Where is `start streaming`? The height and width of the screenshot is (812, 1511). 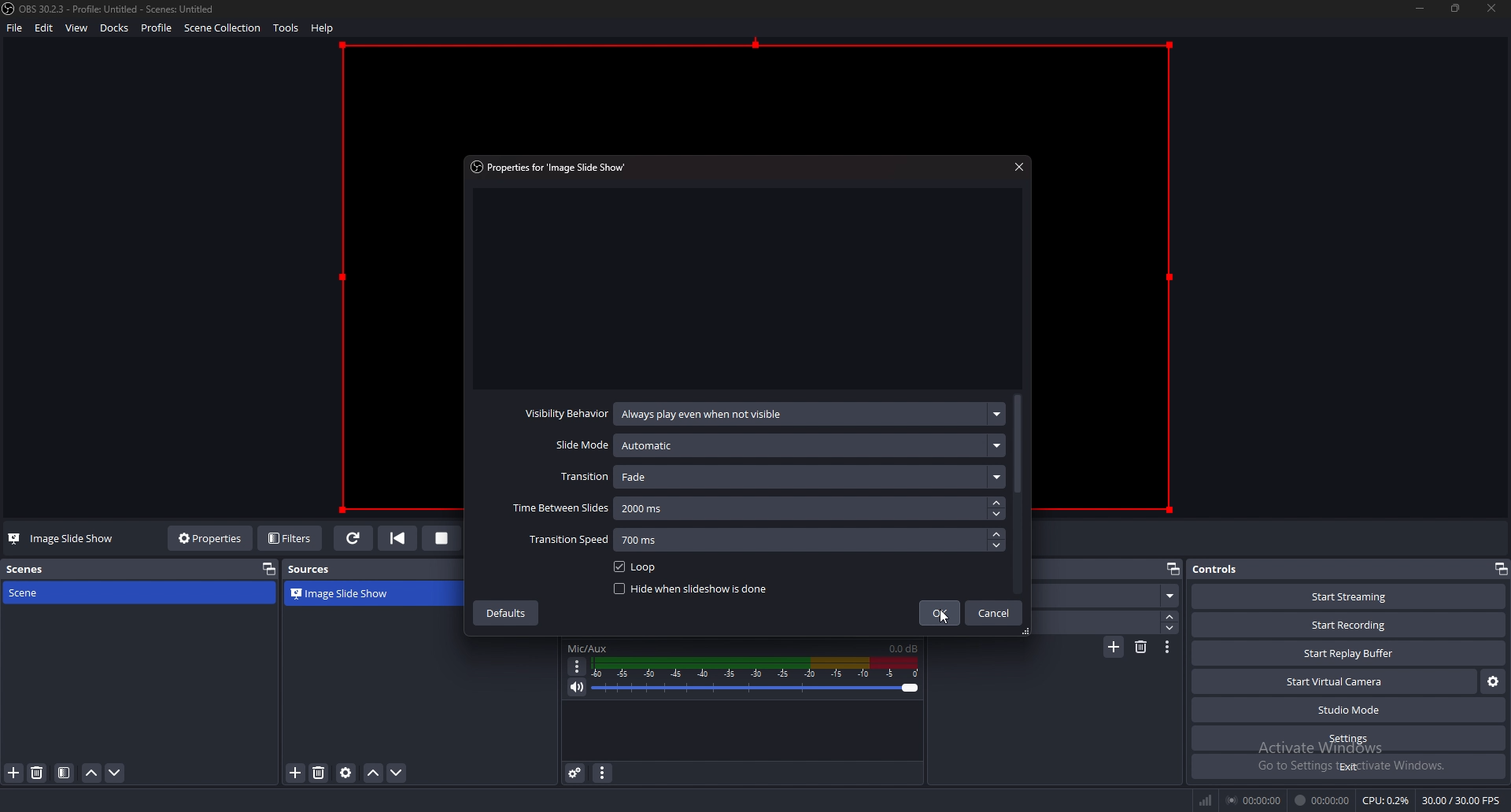
start streaming is located at coordinates (1350, 599).